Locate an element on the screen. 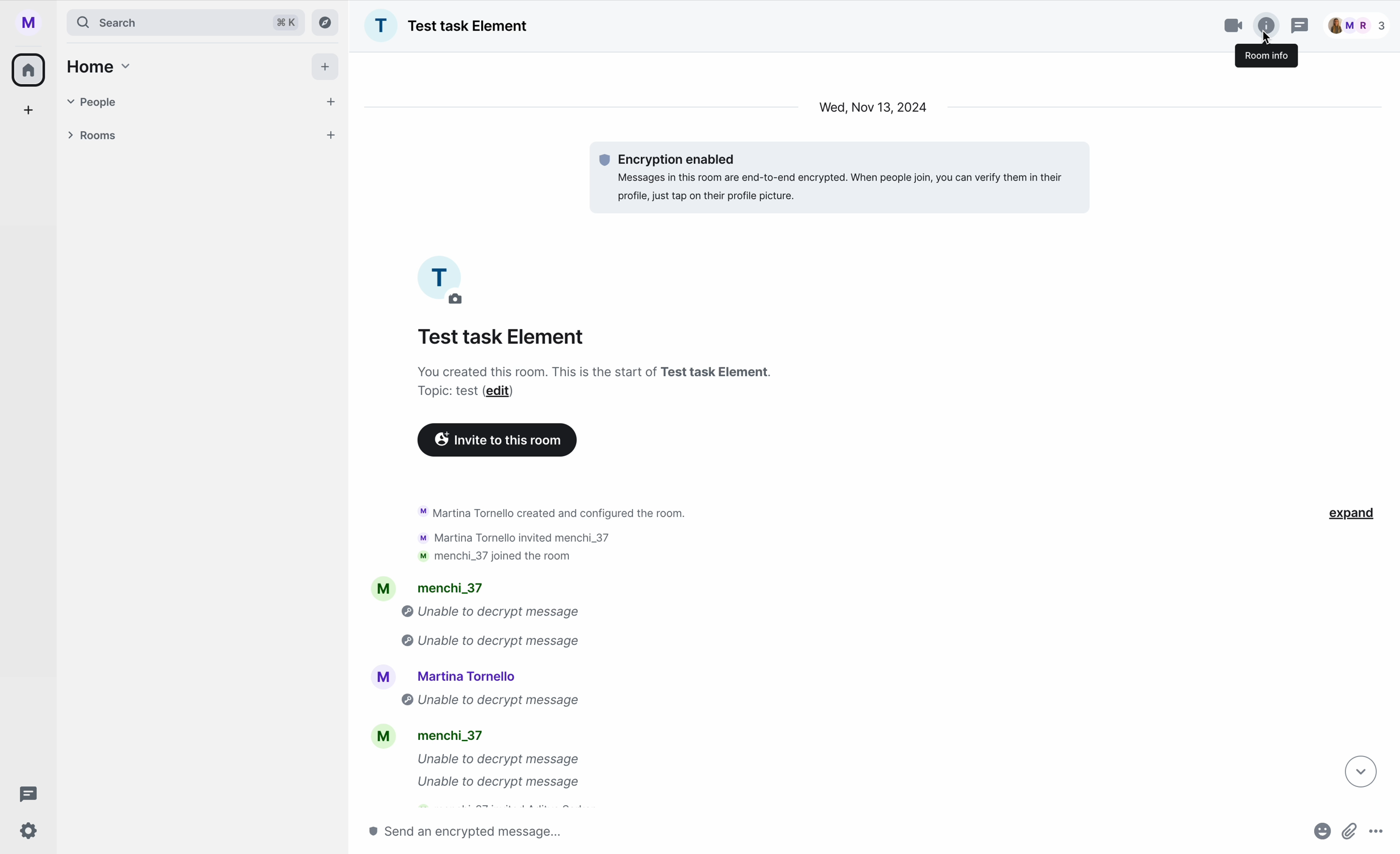 The height and width of the screenshot is (854, 1400). name group is located at coordinates (501, 338).